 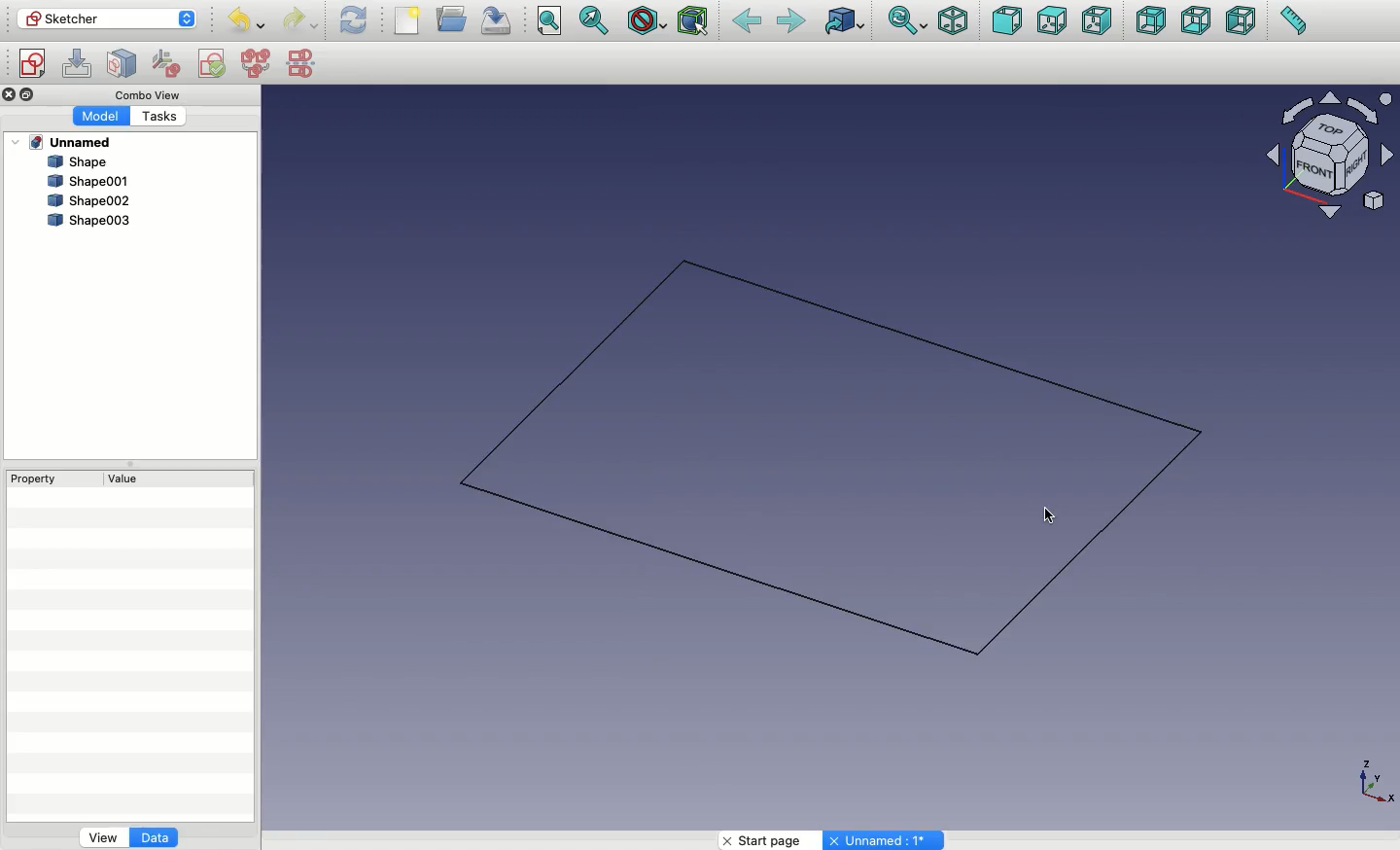 I want to click on Refresh, so click(x=355, y=22).